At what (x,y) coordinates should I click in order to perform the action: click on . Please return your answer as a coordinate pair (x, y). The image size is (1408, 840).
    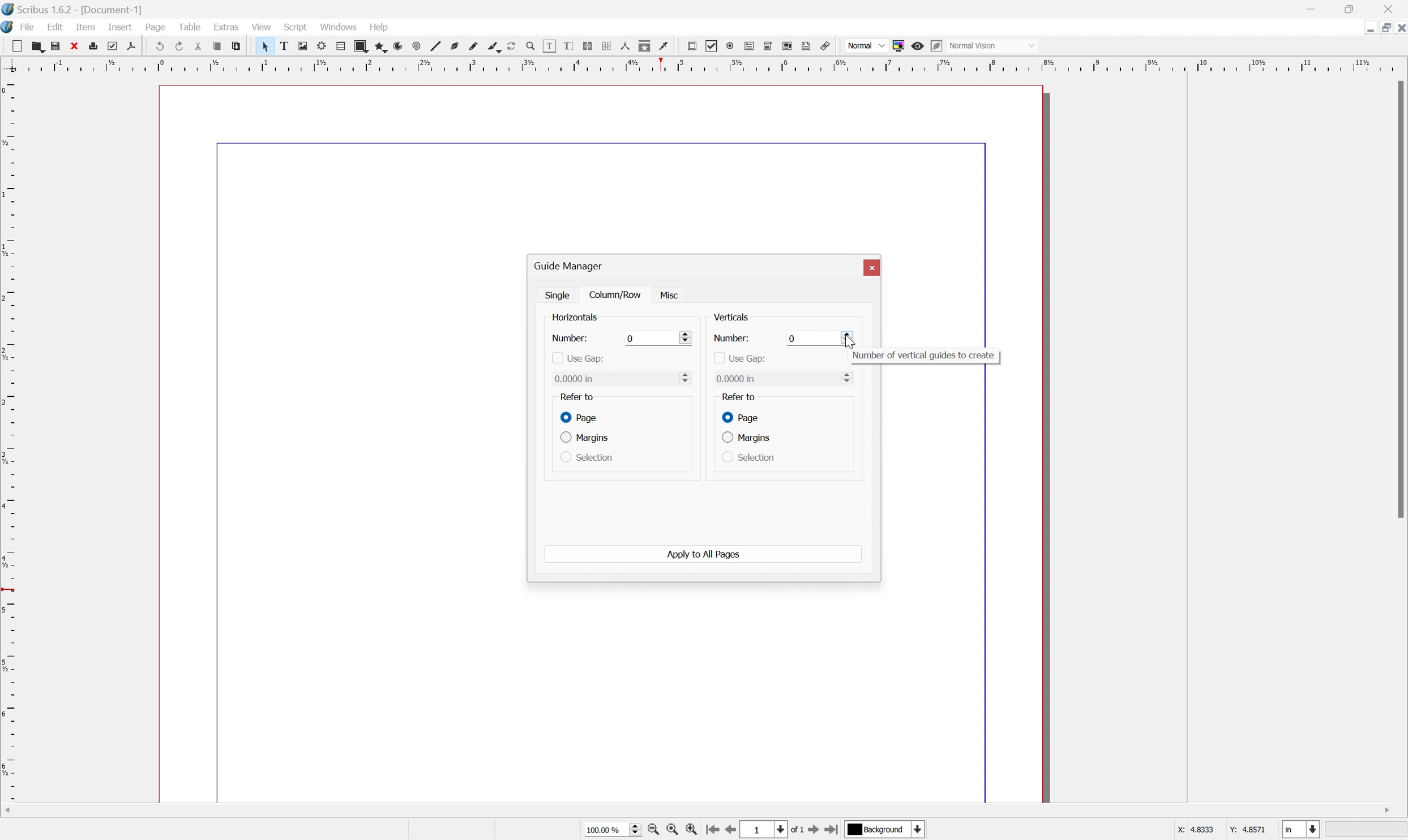
    Looking at the image, I should click on (751, 46).